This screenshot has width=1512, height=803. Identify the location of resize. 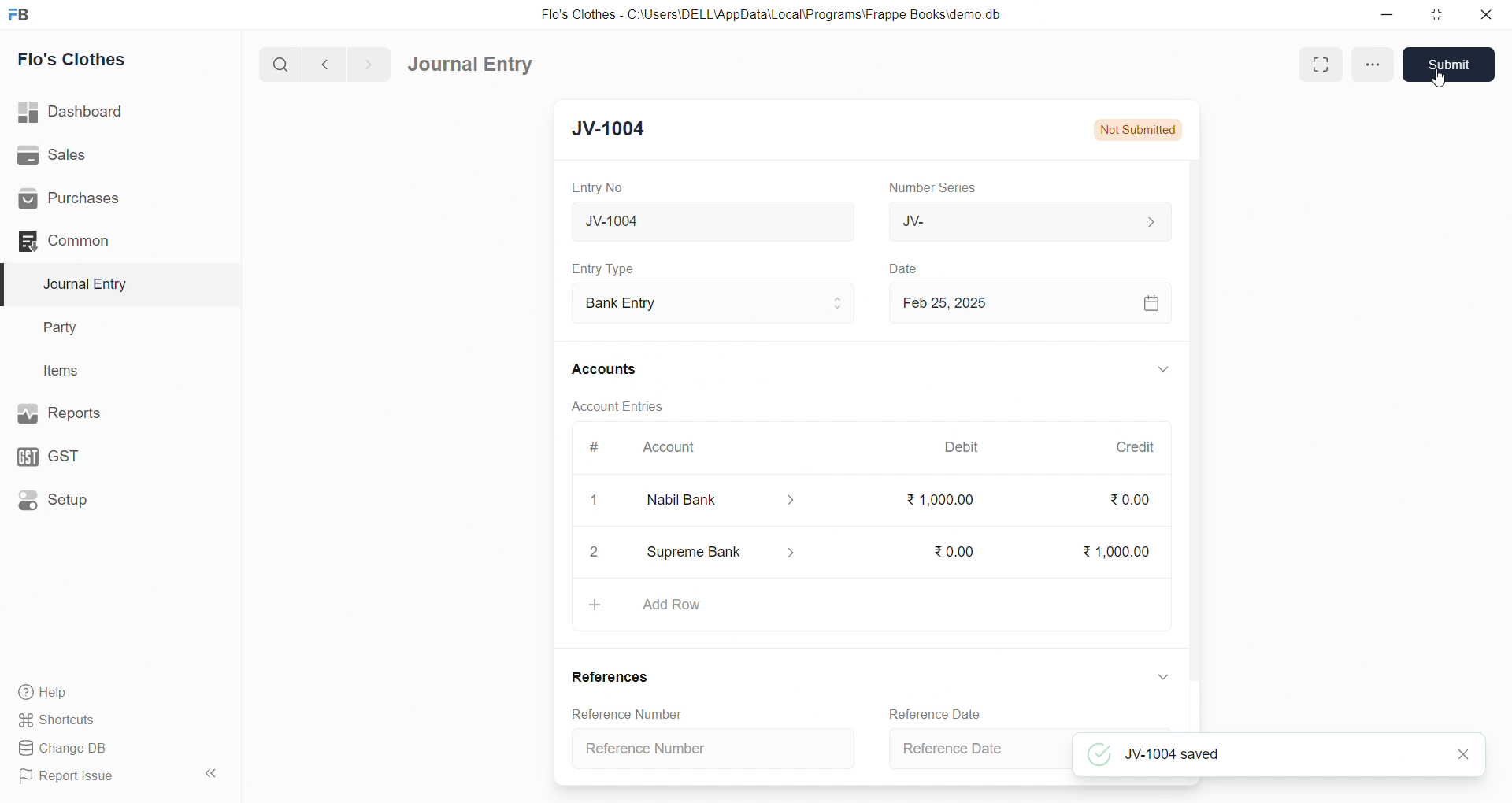
(1432, 14).